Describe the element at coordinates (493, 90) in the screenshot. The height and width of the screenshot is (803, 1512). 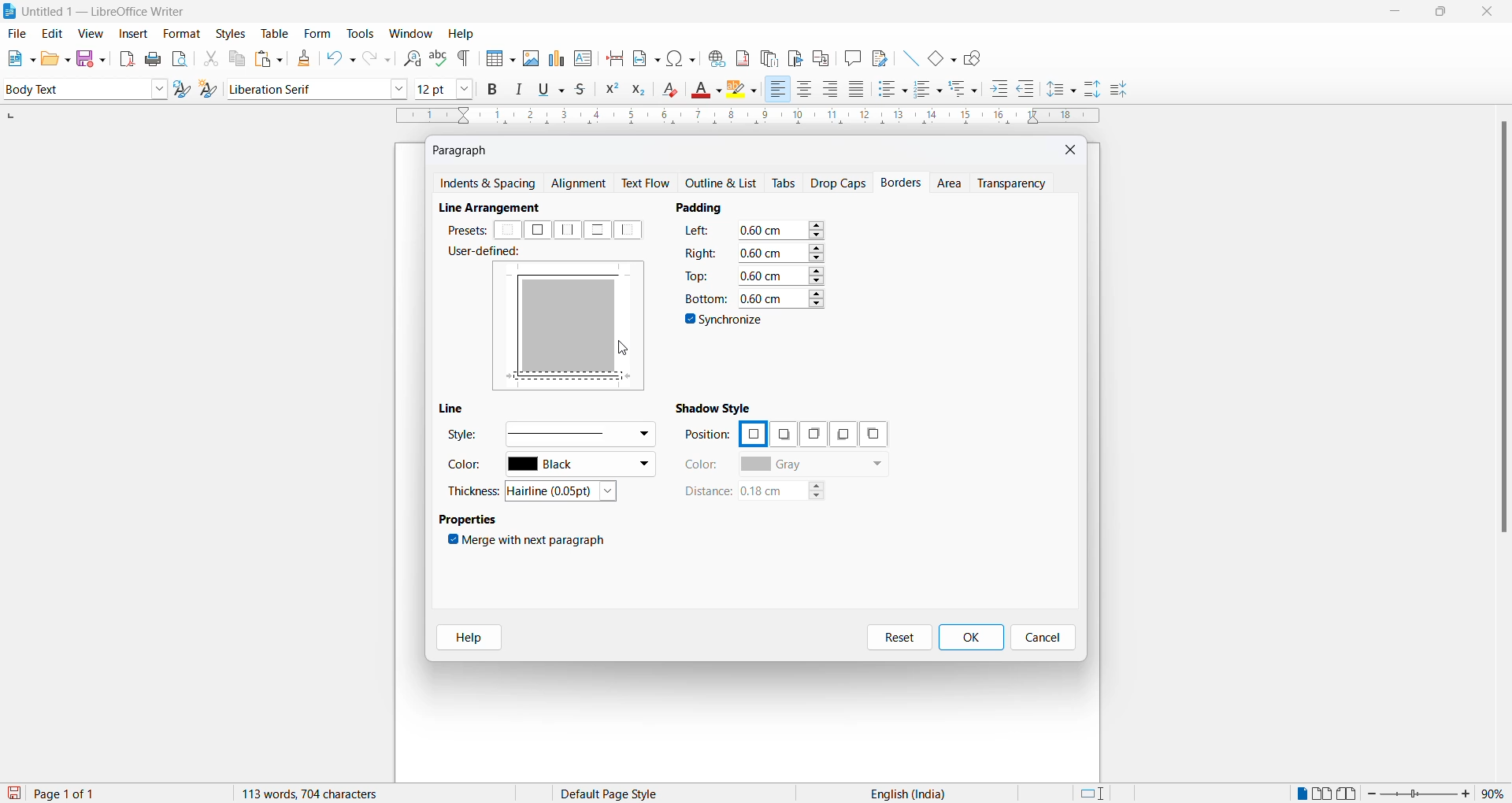
I see `bold` at that location.